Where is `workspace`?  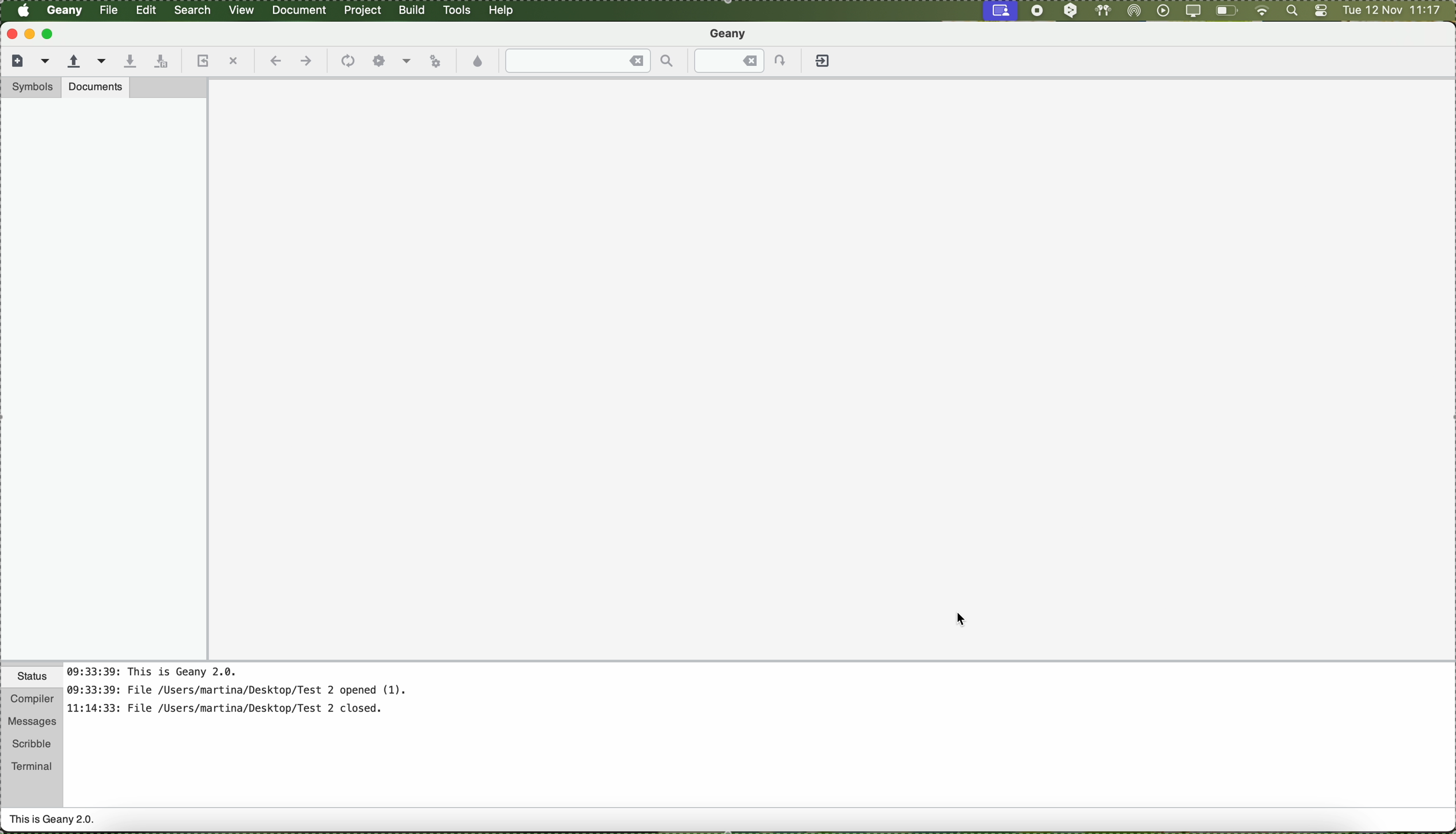
workspace is located at coordinates (832, 369).